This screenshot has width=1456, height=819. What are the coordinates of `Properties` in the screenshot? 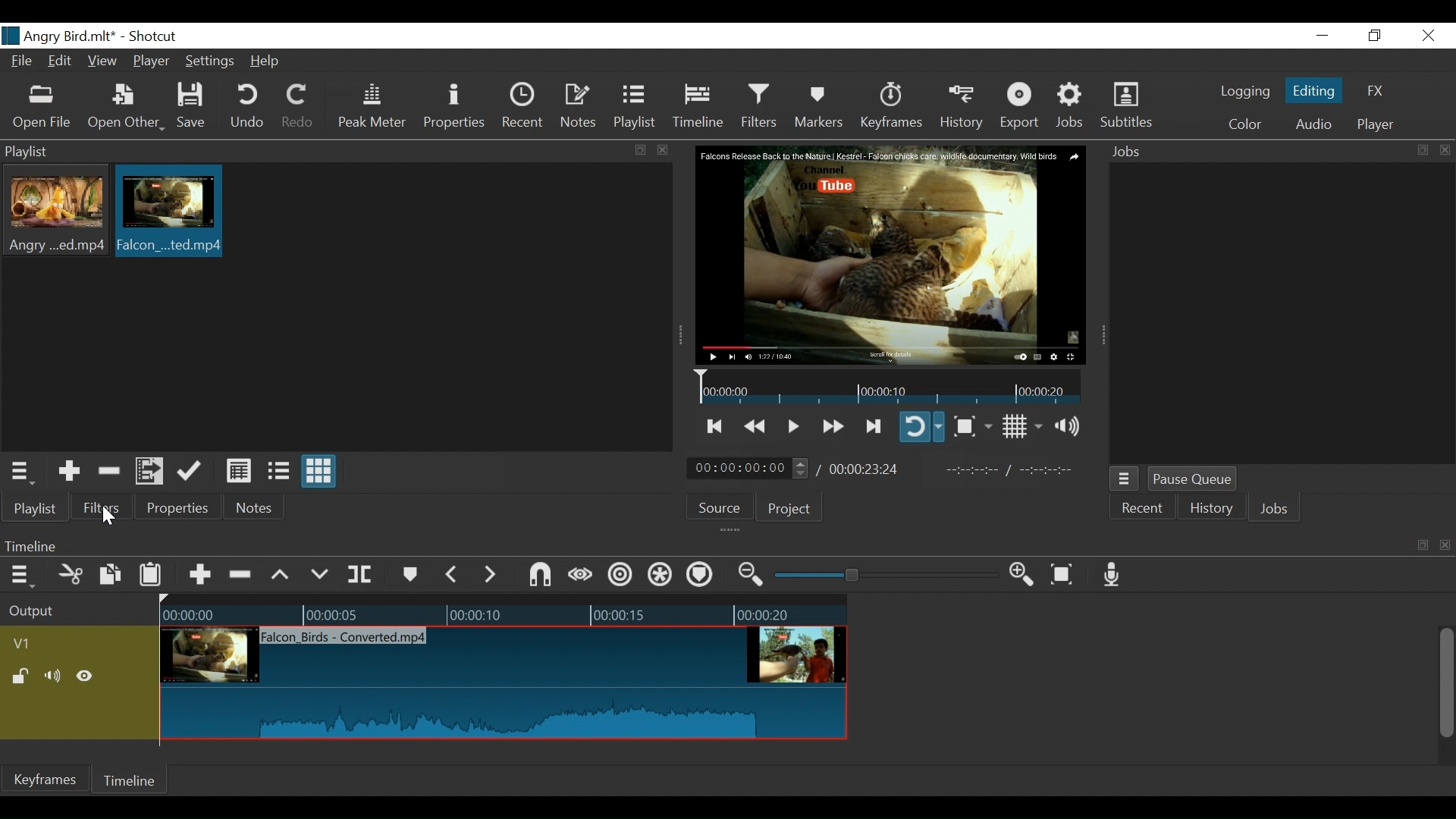 It's located at (175, 507).